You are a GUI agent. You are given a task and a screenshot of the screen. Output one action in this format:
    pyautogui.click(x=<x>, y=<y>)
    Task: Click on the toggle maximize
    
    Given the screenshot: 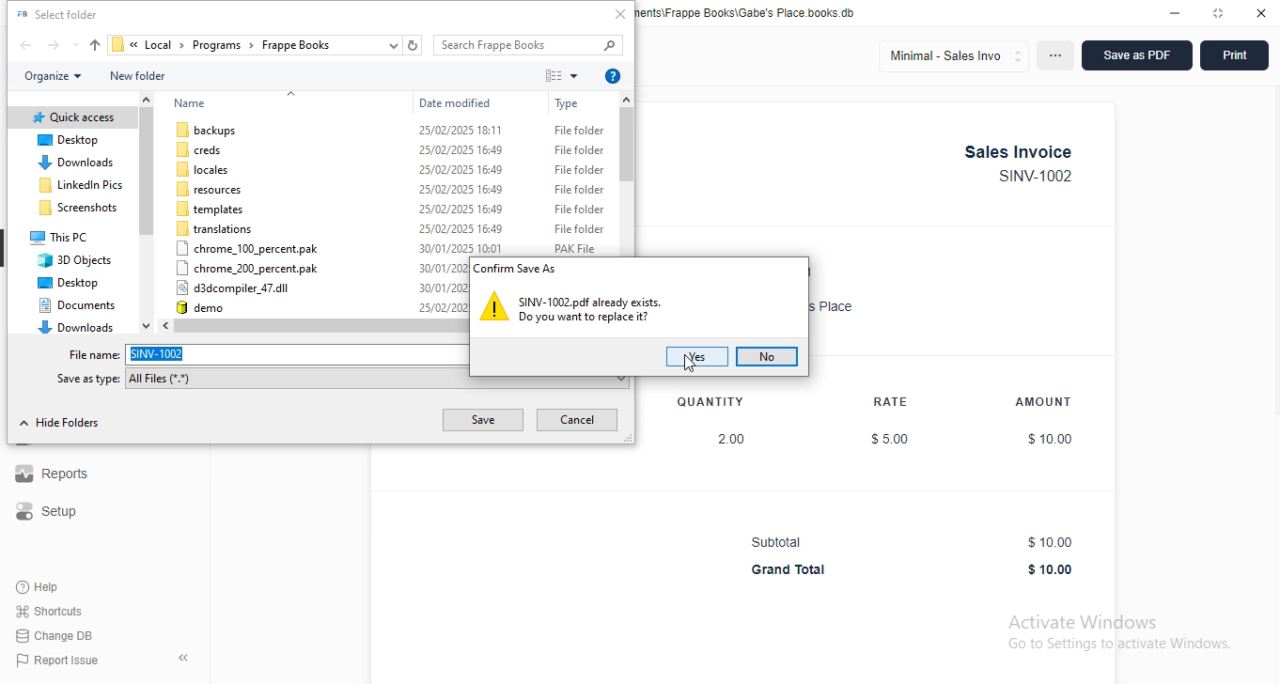 What is the action you would take?
    pyautogui.click(x=1219, y=12)
    